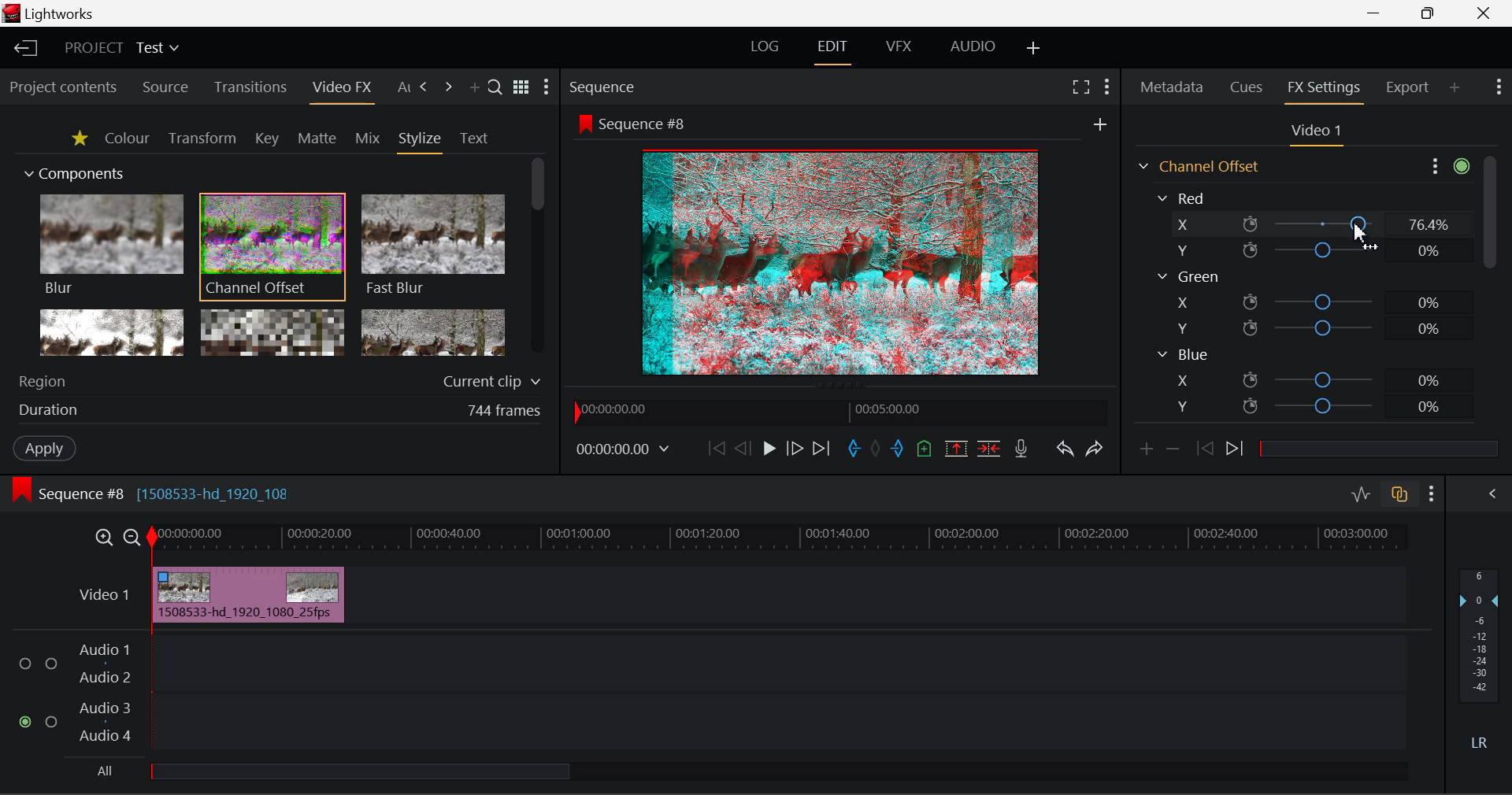 This screenshot has width=1512, height=795. Describe the element at coordinates (780, 540) in the screenshot. I see `Project Timeline Track` at that location.